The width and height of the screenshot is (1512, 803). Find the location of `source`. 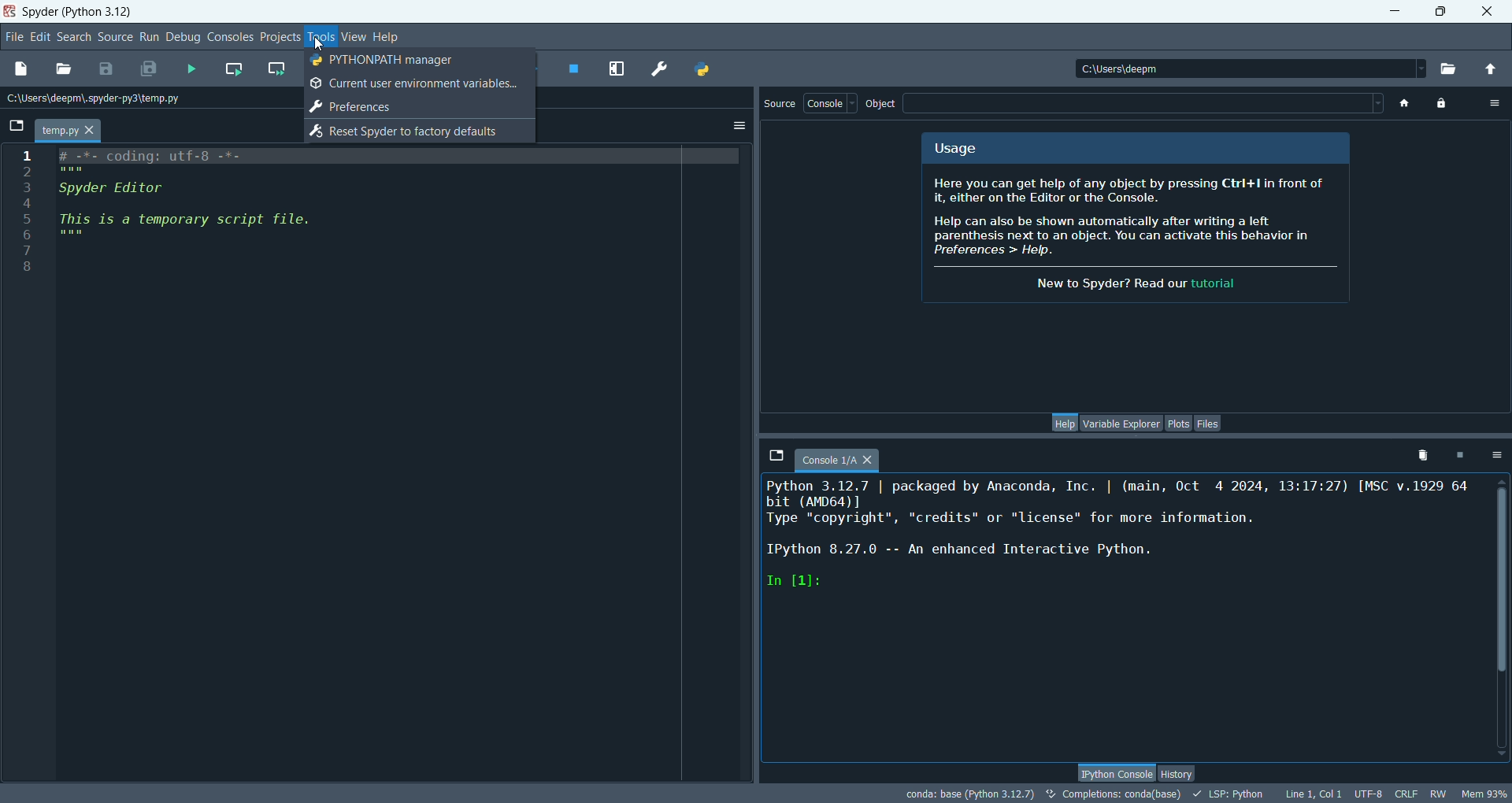

source is located at coordinates (779, 107).